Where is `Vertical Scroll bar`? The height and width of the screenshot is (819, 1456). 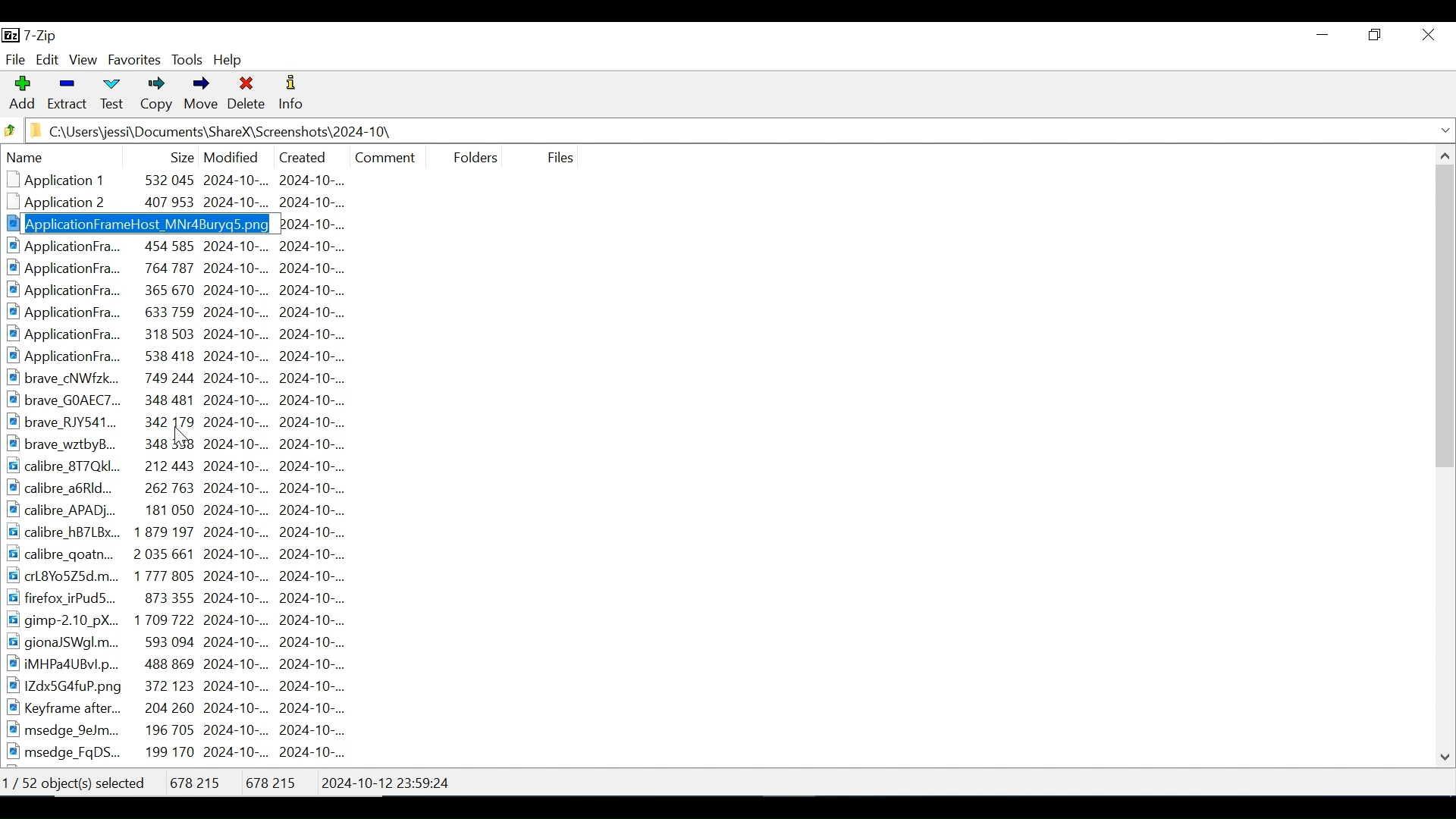 Vertical Scroll bar is located at coordinates (1445, 316).